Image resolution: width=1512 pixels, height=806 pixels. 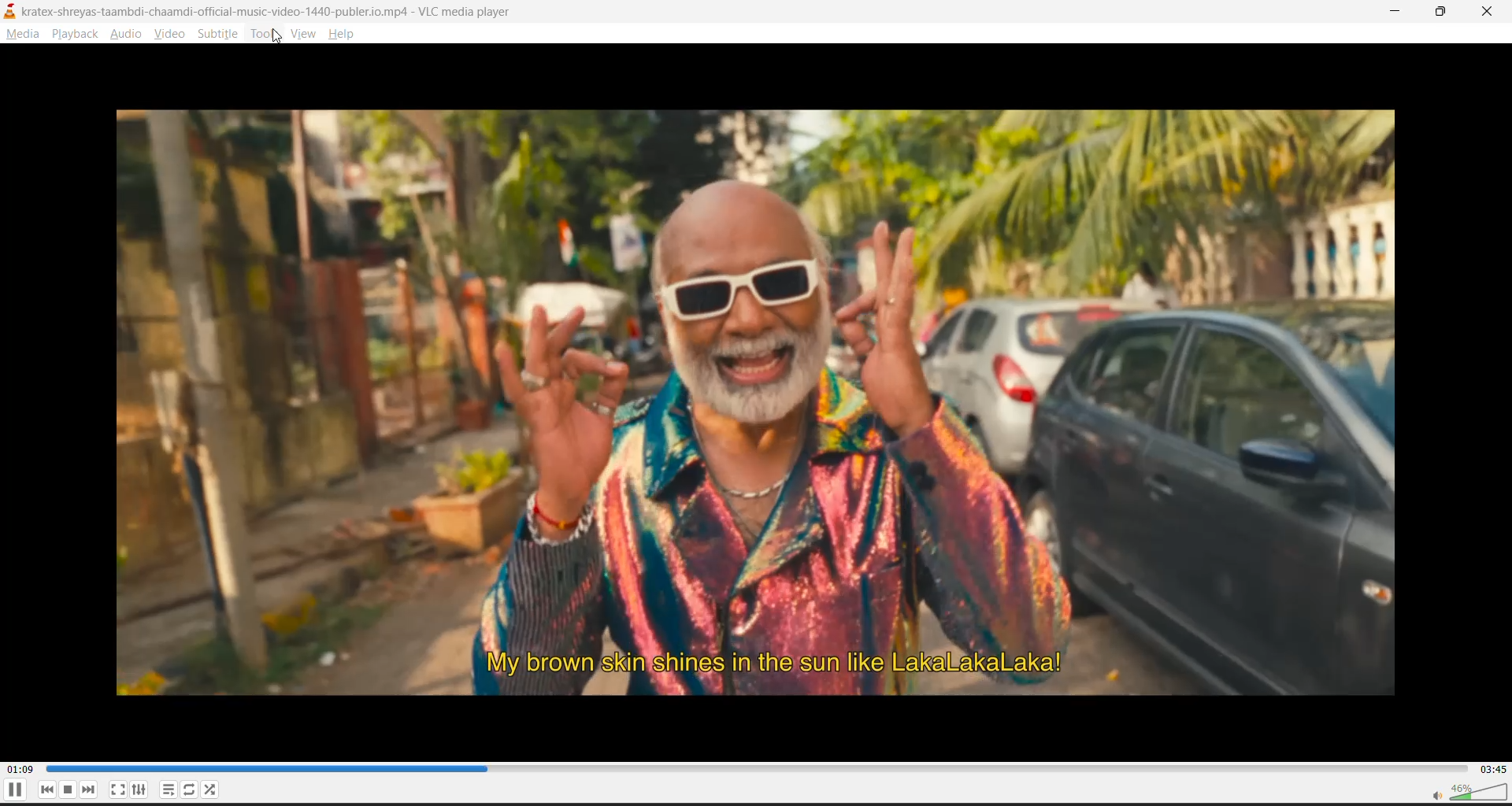 I want to click on current track time, so click(x=24, y=767).